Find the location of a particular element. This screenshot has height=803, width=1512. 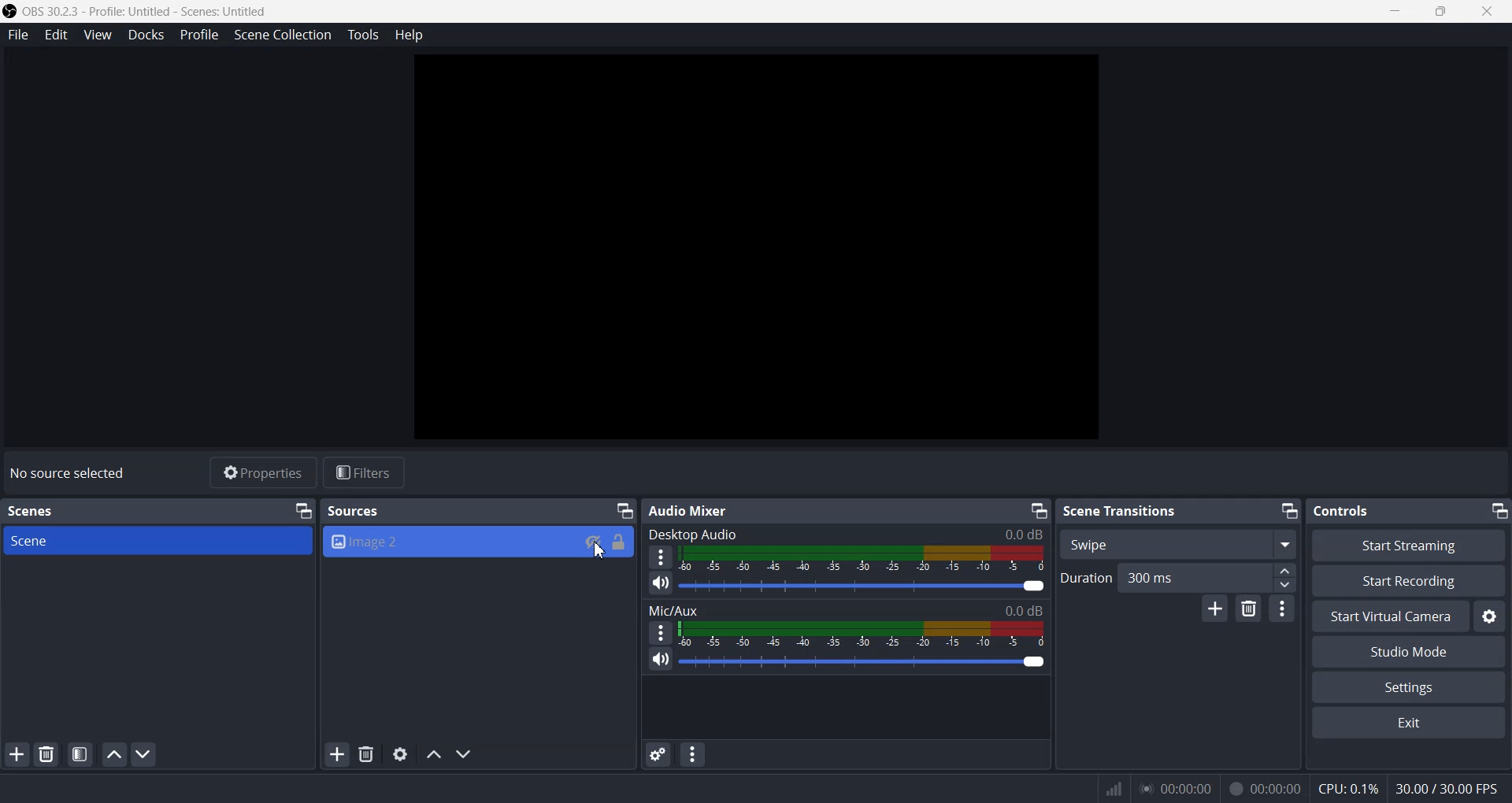

Minimize is located at coordinates (624, 509).